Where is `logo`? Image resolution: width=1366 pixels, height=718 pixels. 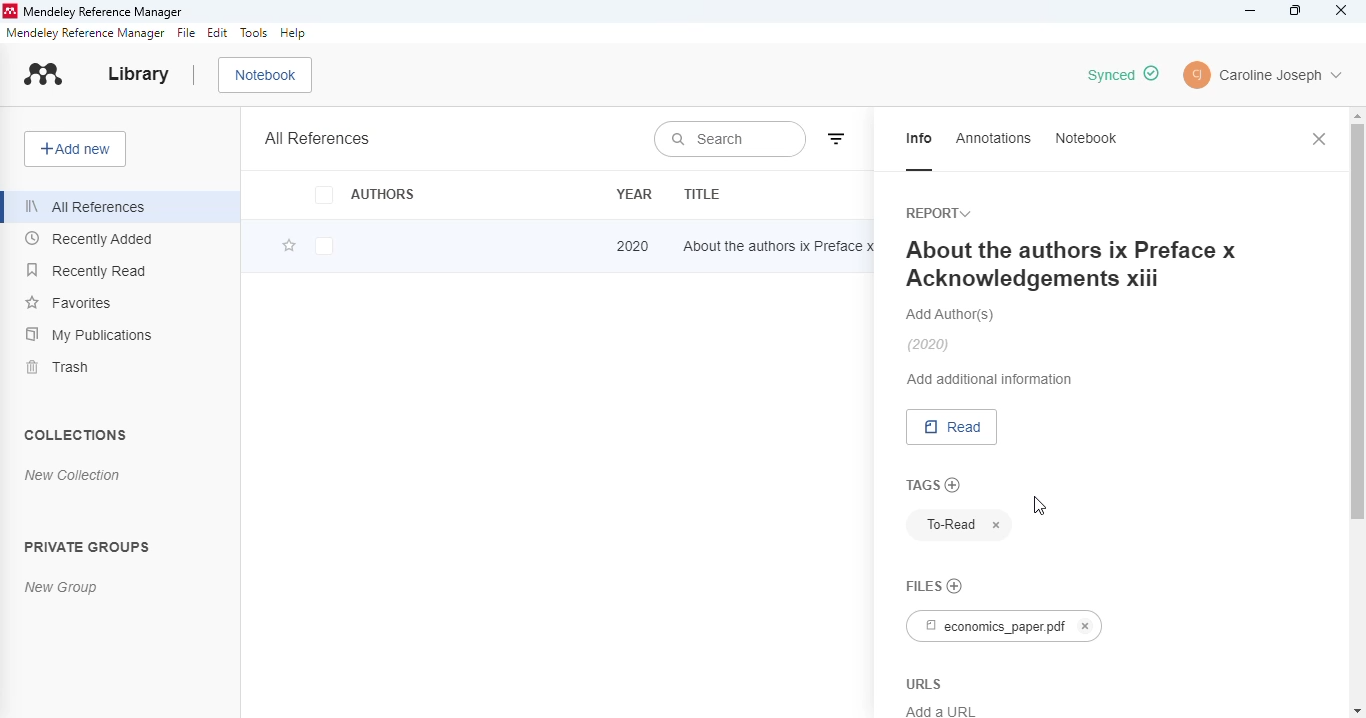
logo is located at coordinates (44, 75).